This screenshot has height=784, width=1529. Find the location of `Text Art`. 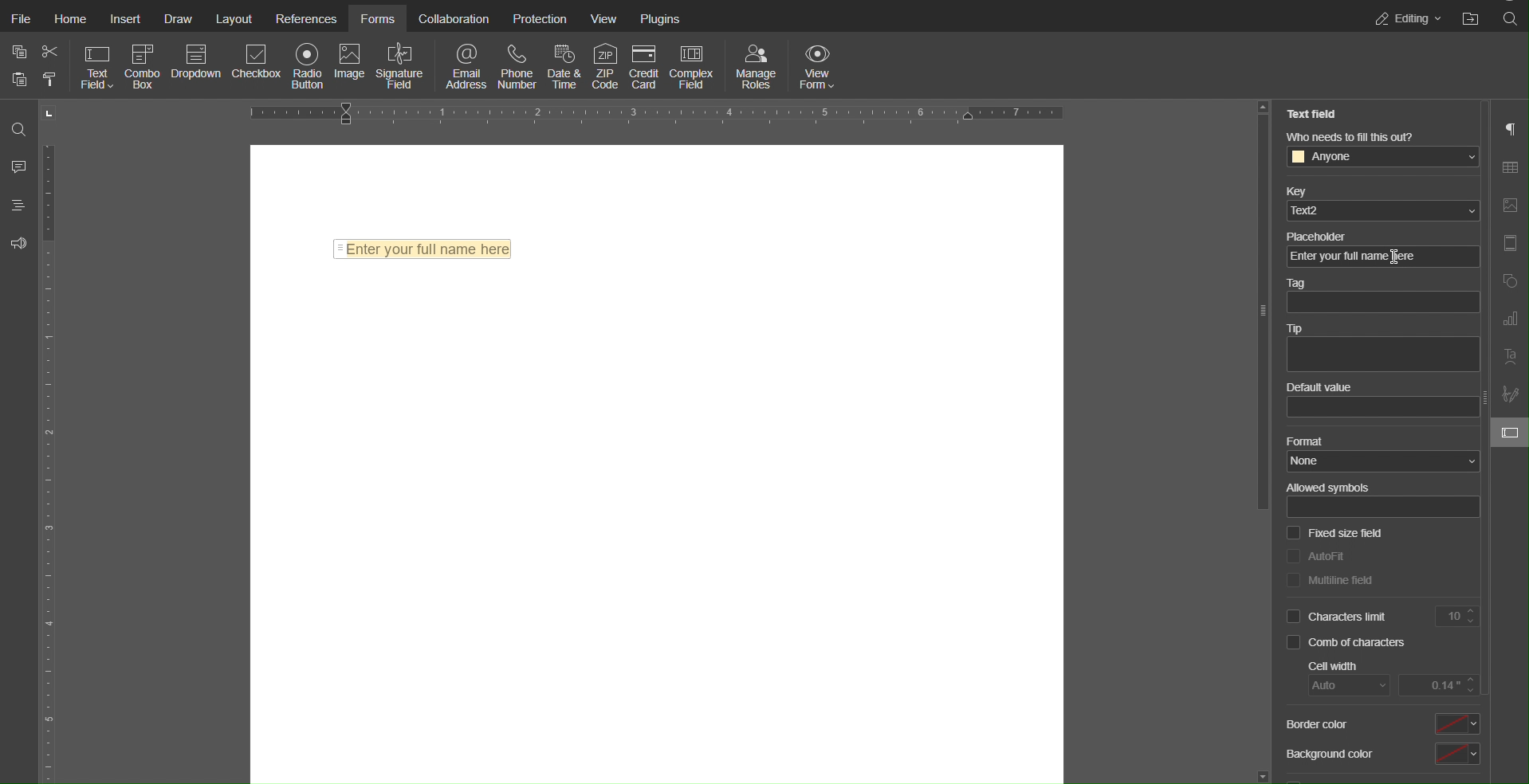

Text Art is located at coordinates (1509, 358).